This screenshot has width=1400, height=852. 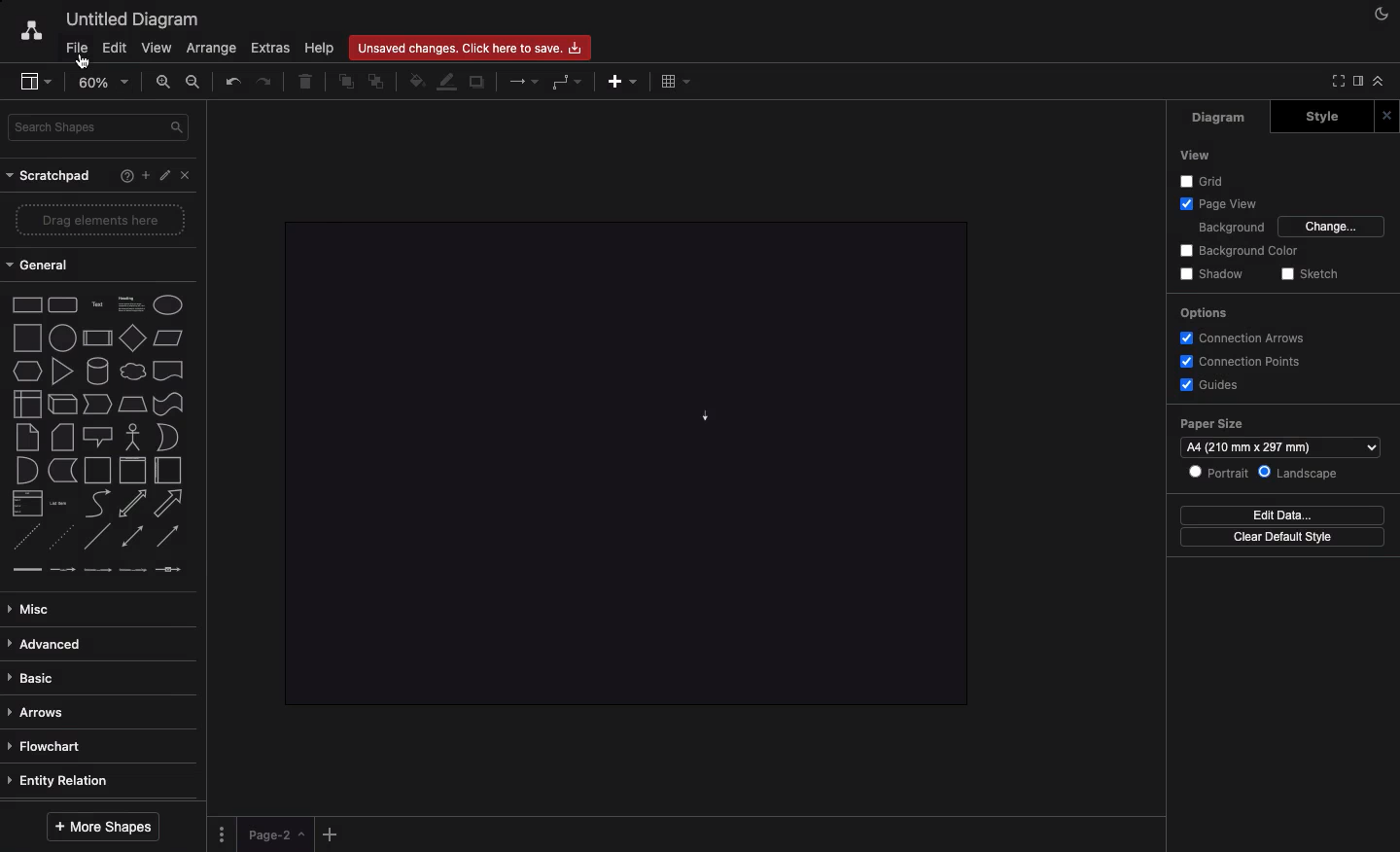 I want to click on Full screen, so click(x=1334, y=82).